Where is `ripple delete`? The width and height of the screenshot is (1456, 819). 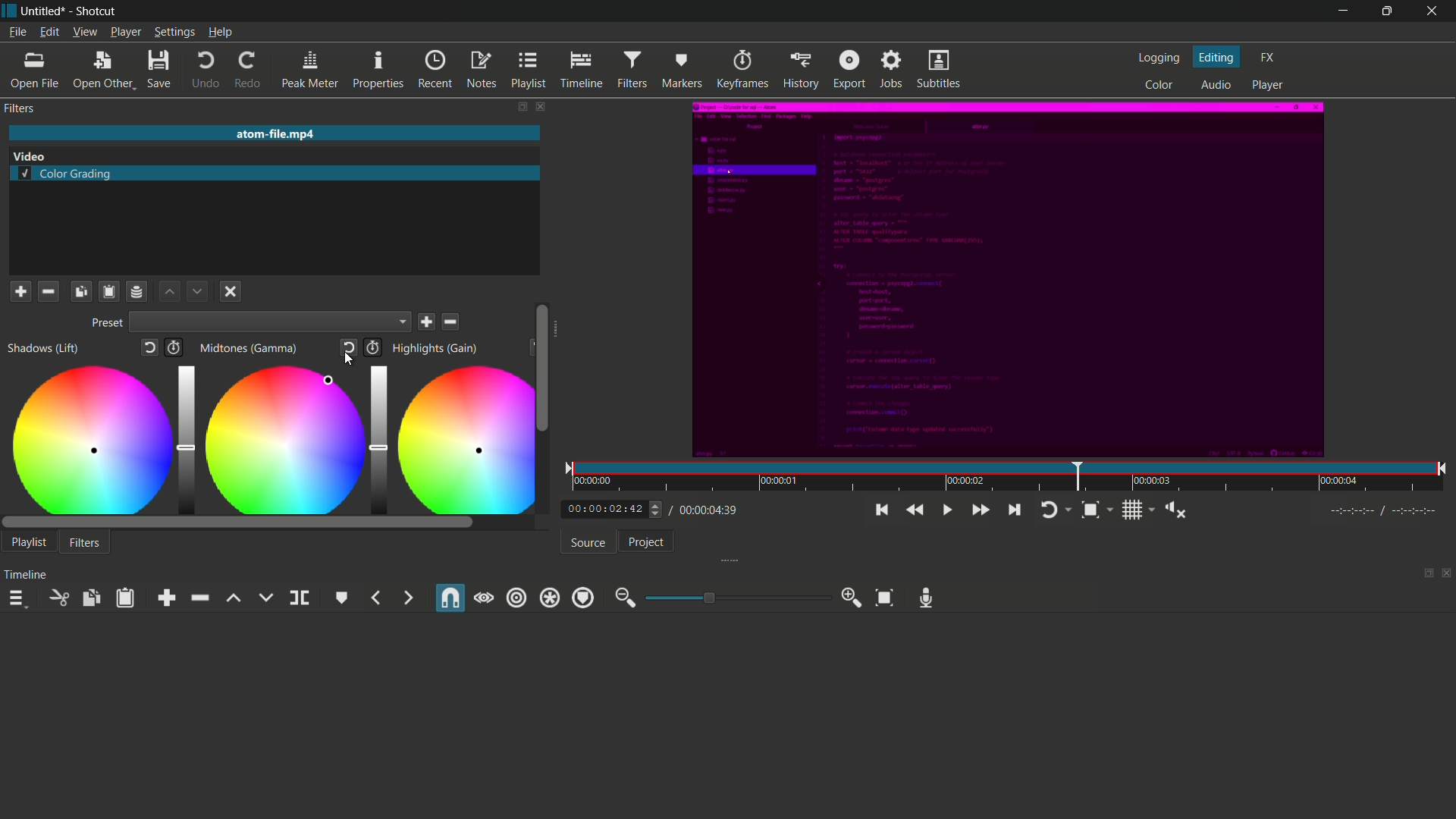 ripple delete is located at coordinates (199, 598).